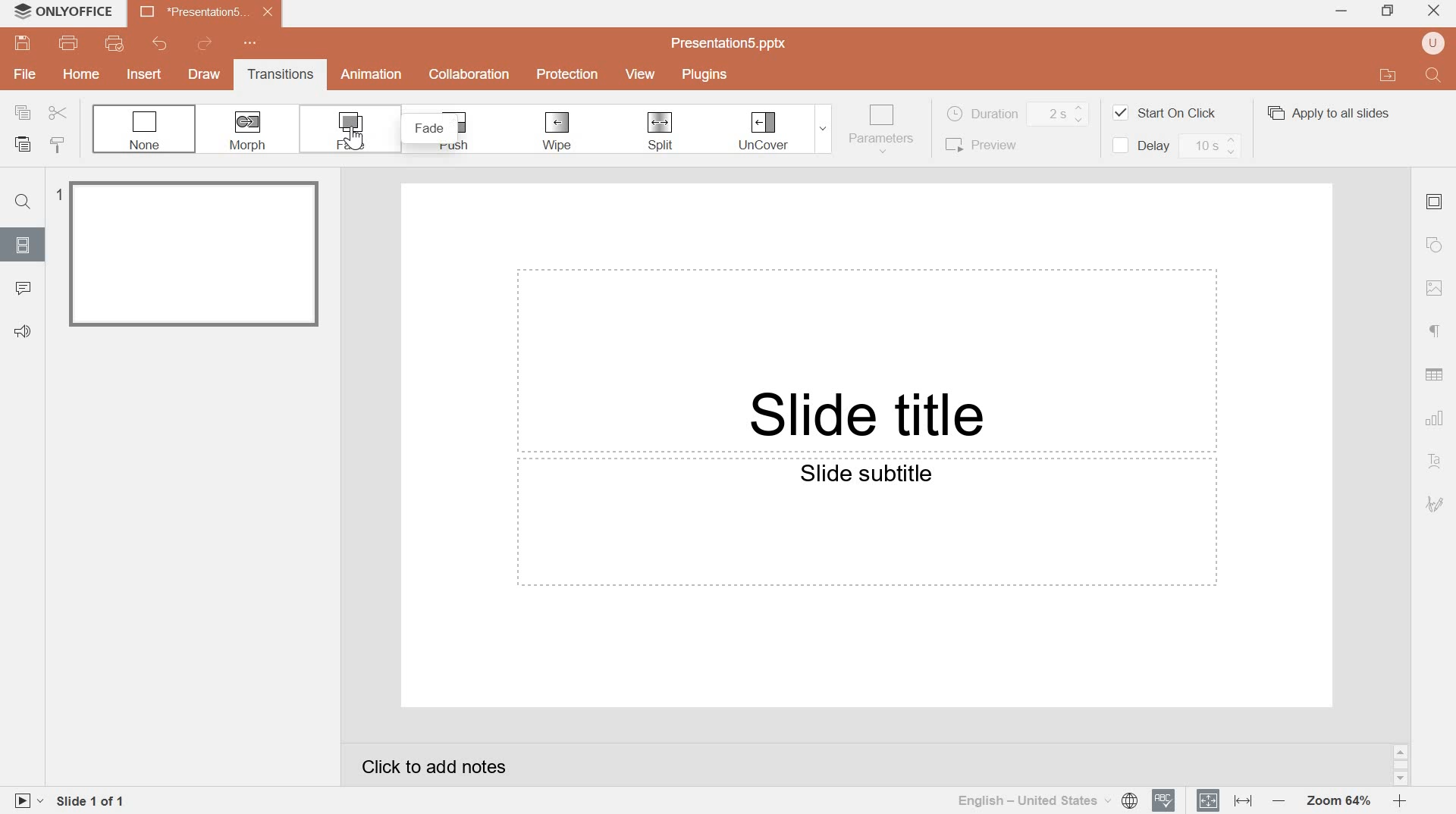 The height and width of the screenshot is (814, 1456). I want to click on Apply to all slides, so click(1327, 114).